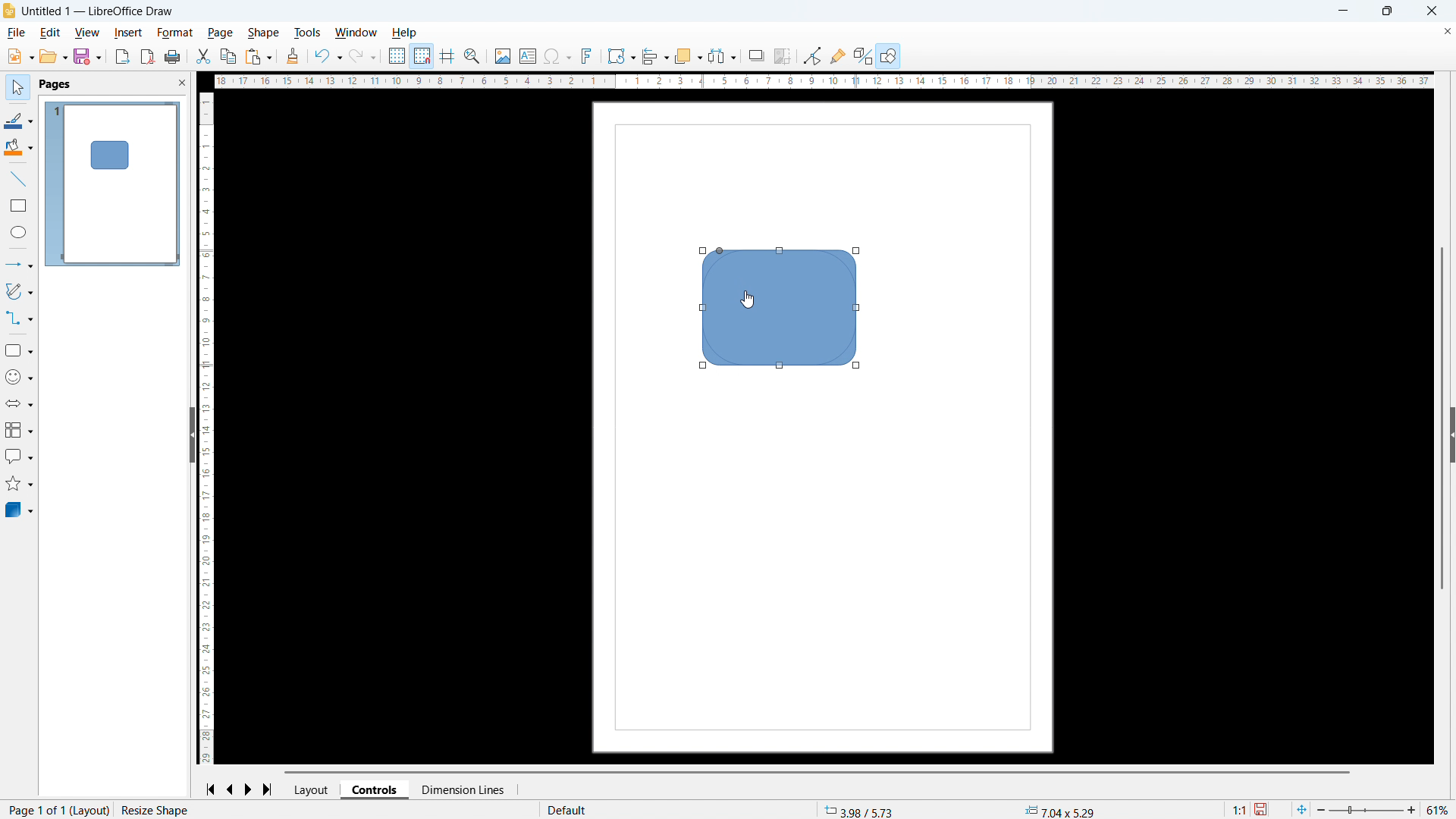 The image size is (1456, 819). Describe the element at coordinates (818, 772) in the screenshot. I see `Horizontal scroll bar ` at that location.